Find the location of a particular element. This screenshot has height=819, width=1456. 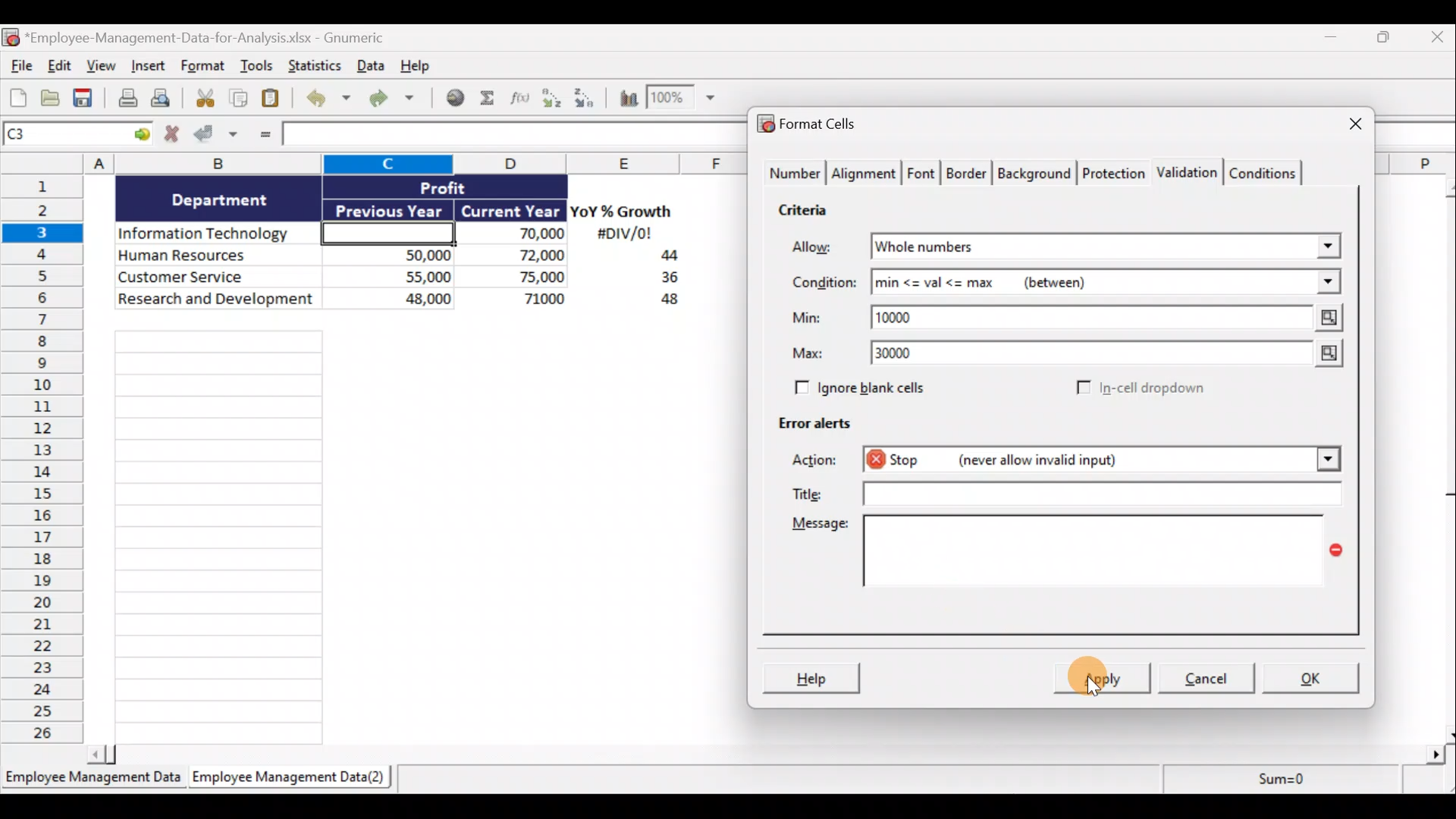

48,000 is located at coordinates (397, 301).